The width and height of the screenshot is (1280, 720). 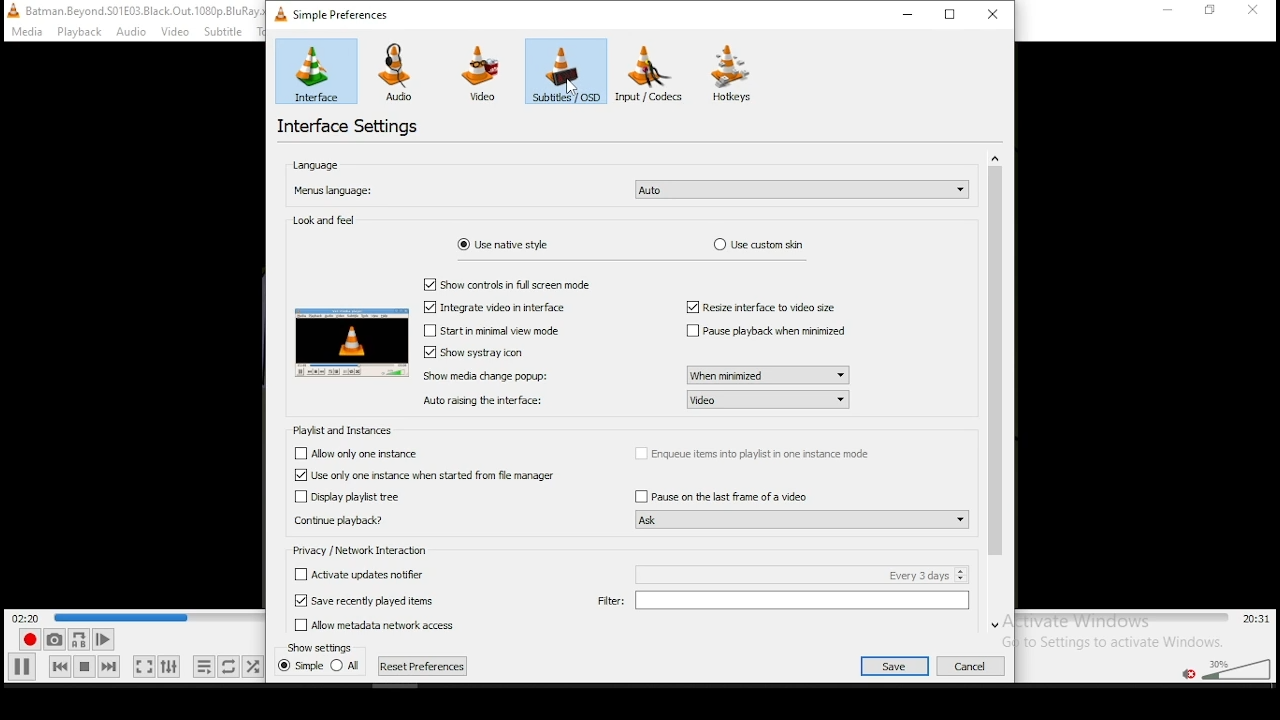 I want to click on take a snapshot, so click(x=54, y=639).